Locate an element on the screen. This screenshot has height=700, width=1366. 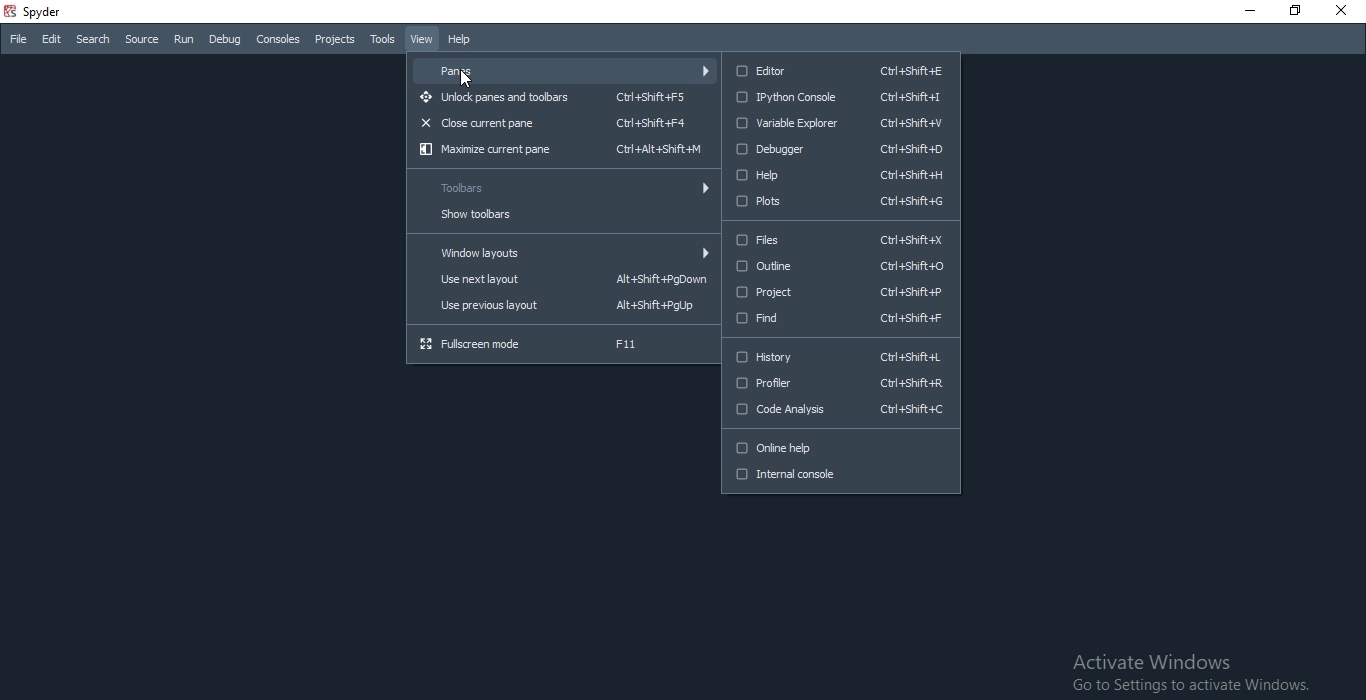
Variable Explorer is located at coordinates (840, 122).